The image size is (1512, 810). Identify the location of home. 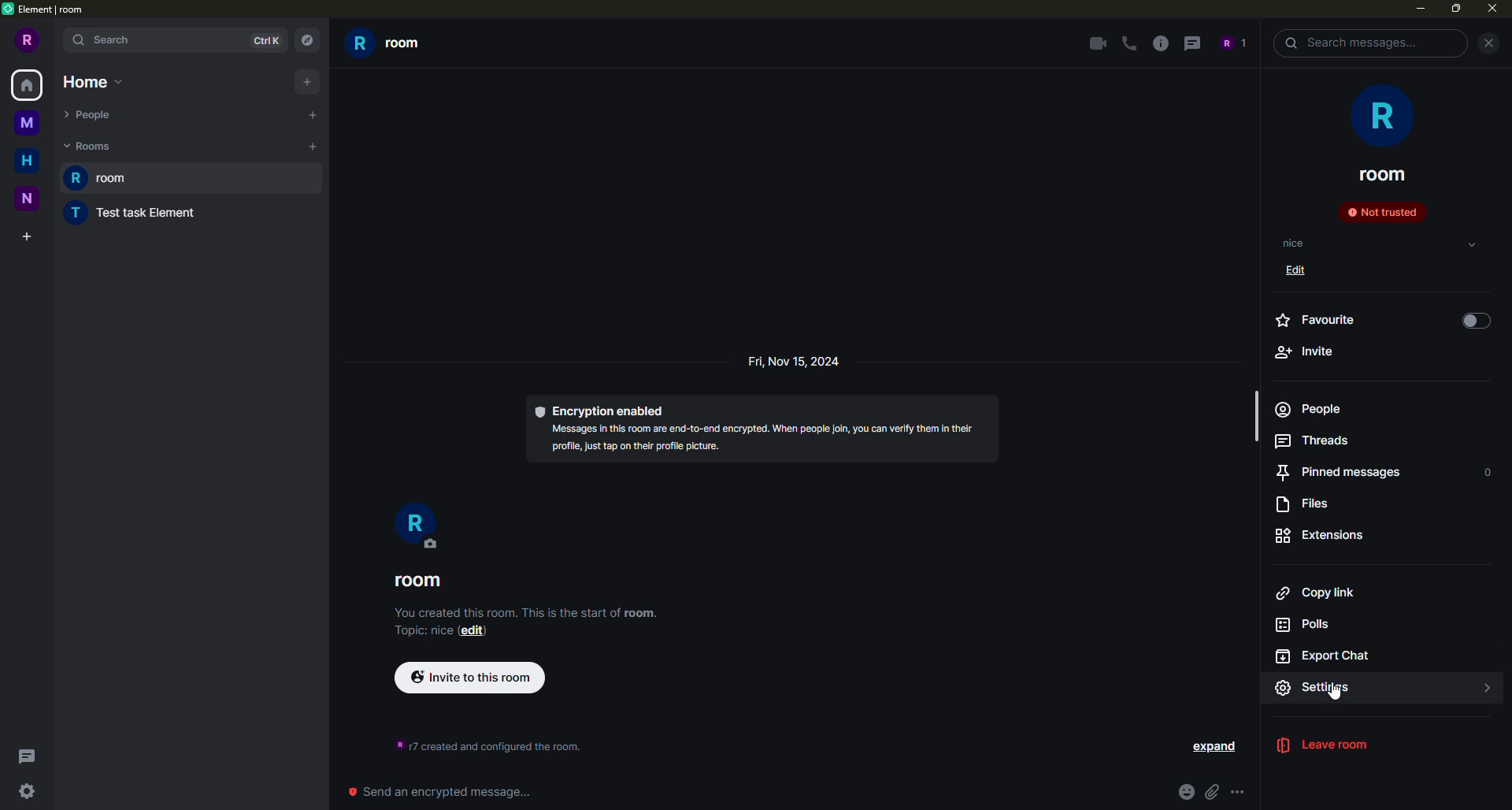
(93, 83).